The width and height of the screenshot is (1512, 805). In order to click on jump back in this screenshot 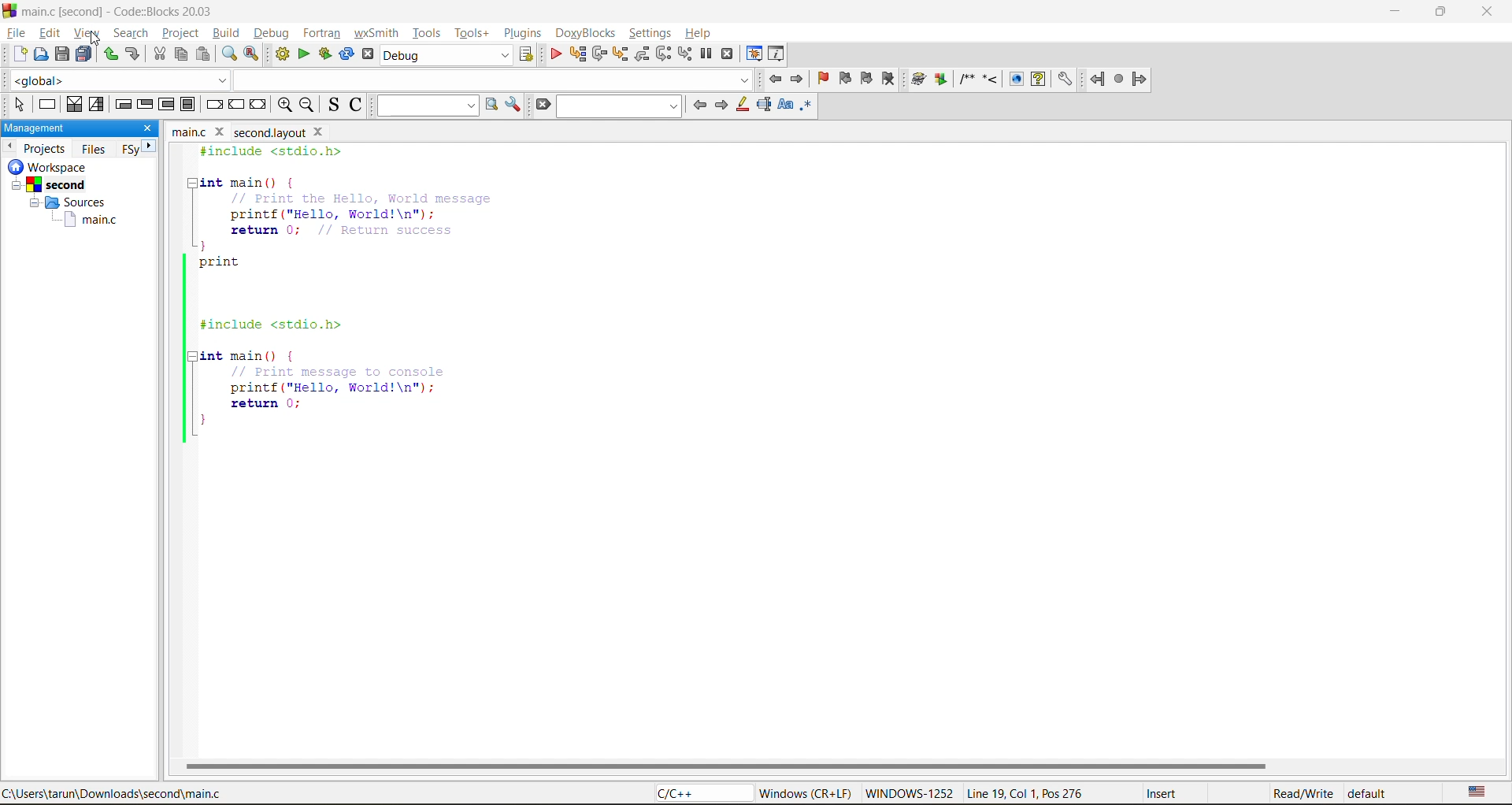, I will do `click(777, 80)`.